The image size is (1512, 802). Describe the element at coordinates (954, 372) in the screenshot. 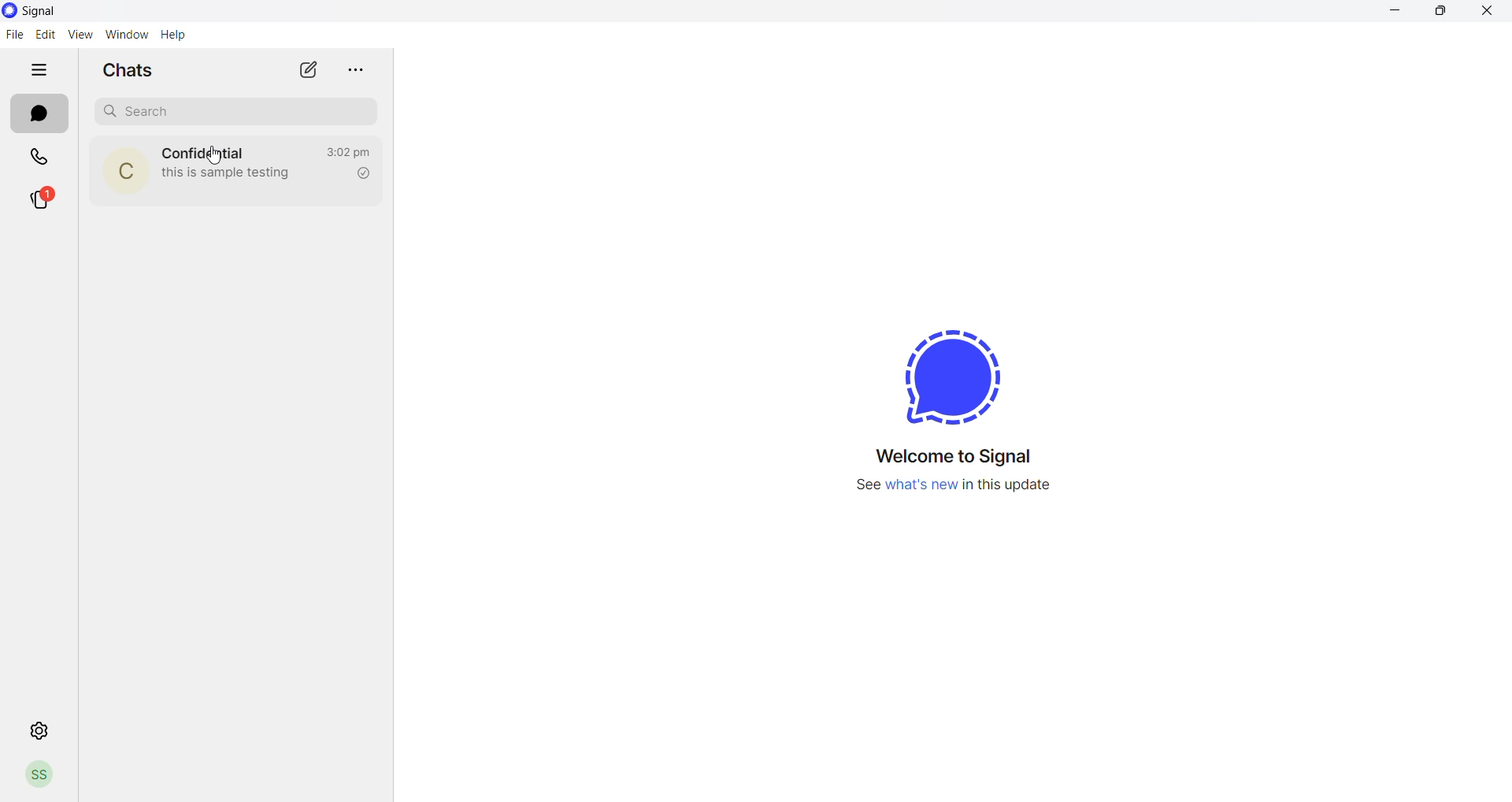

I see `signal logo` at that location.